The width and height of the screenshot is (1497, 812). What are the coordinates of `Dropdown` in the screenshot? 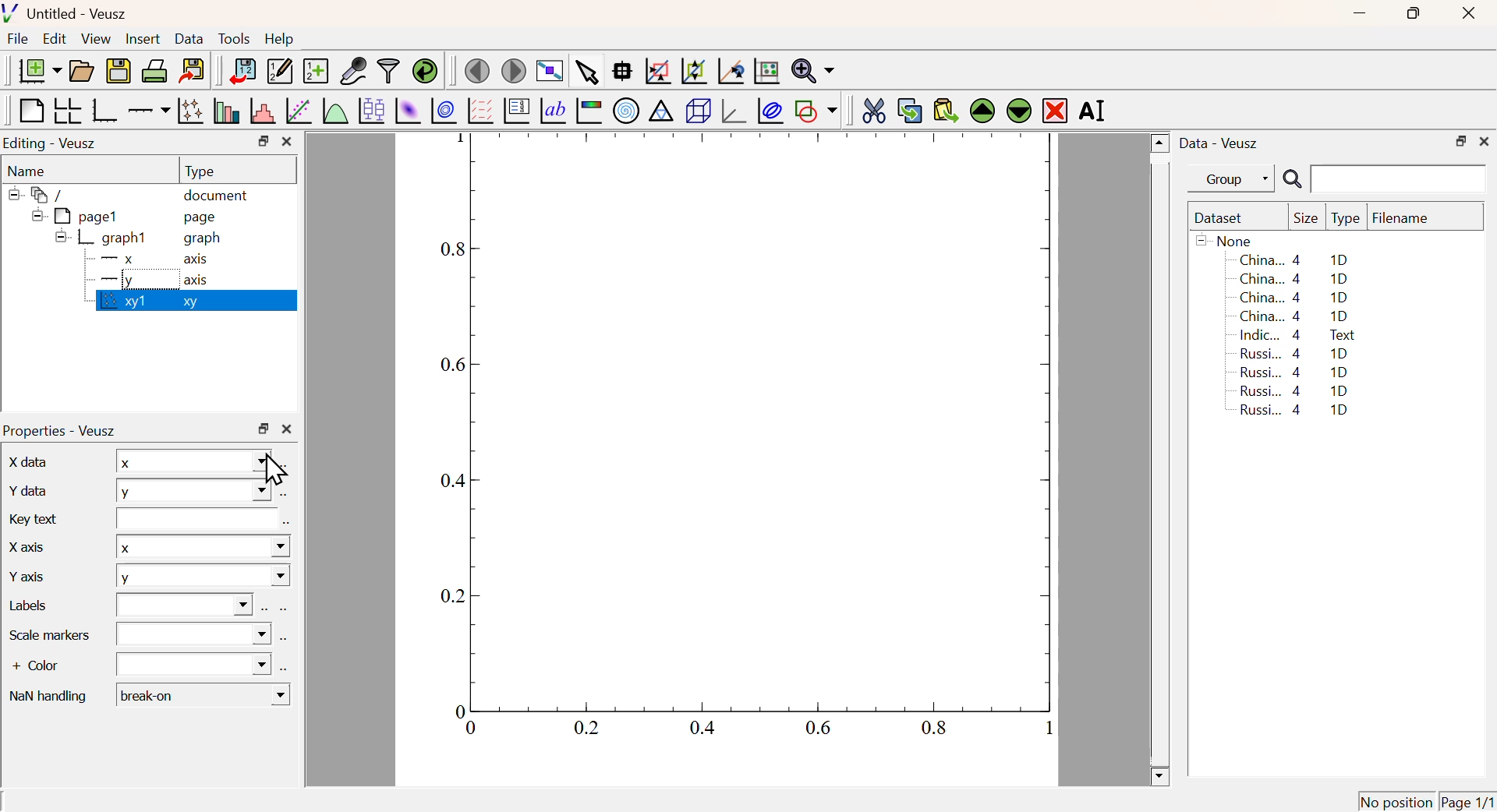 It's located at (195, 634).